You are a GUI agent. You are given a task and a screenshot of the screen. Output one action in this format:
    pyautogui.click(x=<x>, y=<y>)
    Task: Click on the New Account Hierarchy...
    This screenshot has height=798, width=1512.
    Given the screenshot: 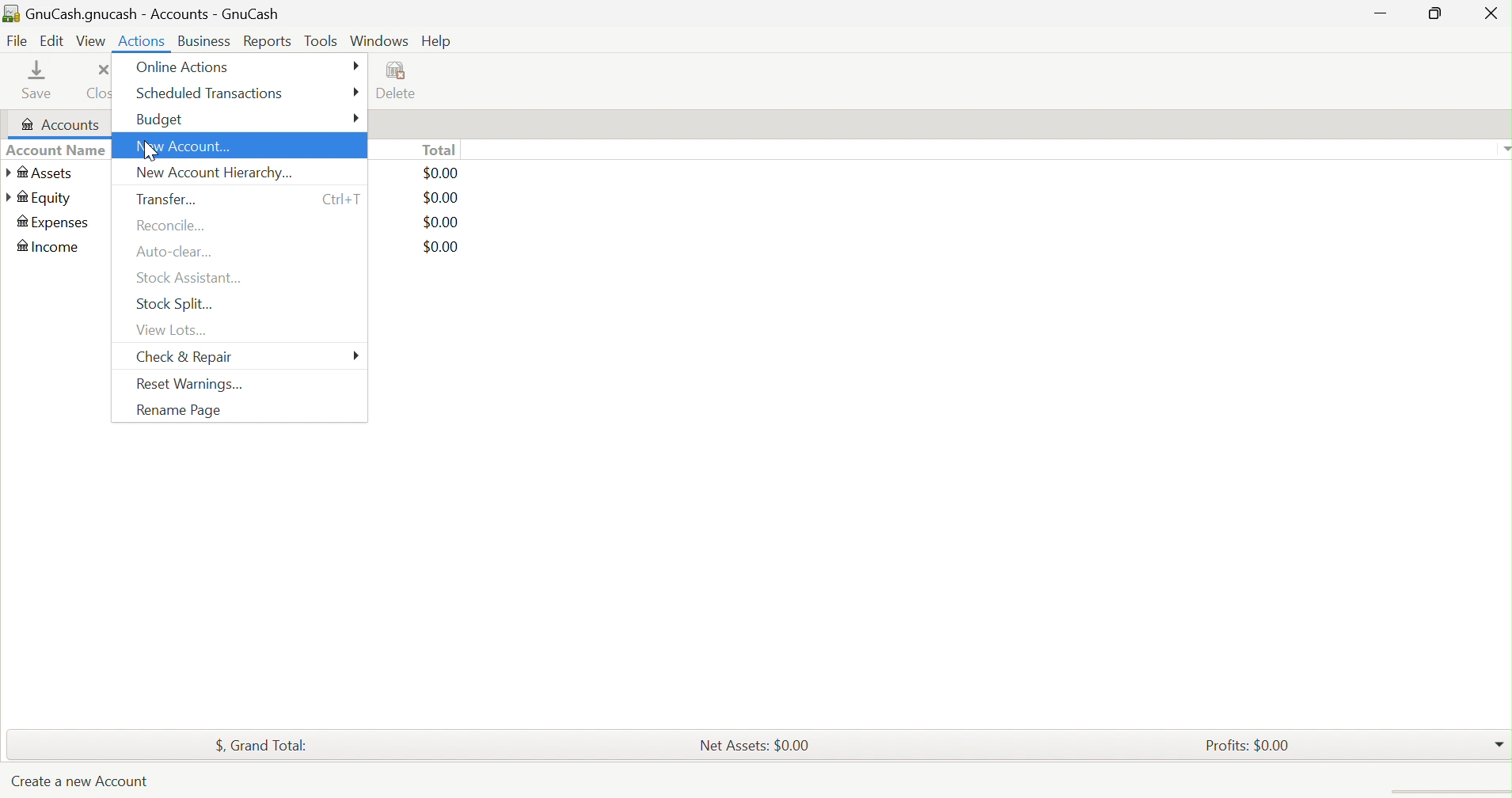 What is the action you would take?
    pyautogui.click(x=214, y=173)
    